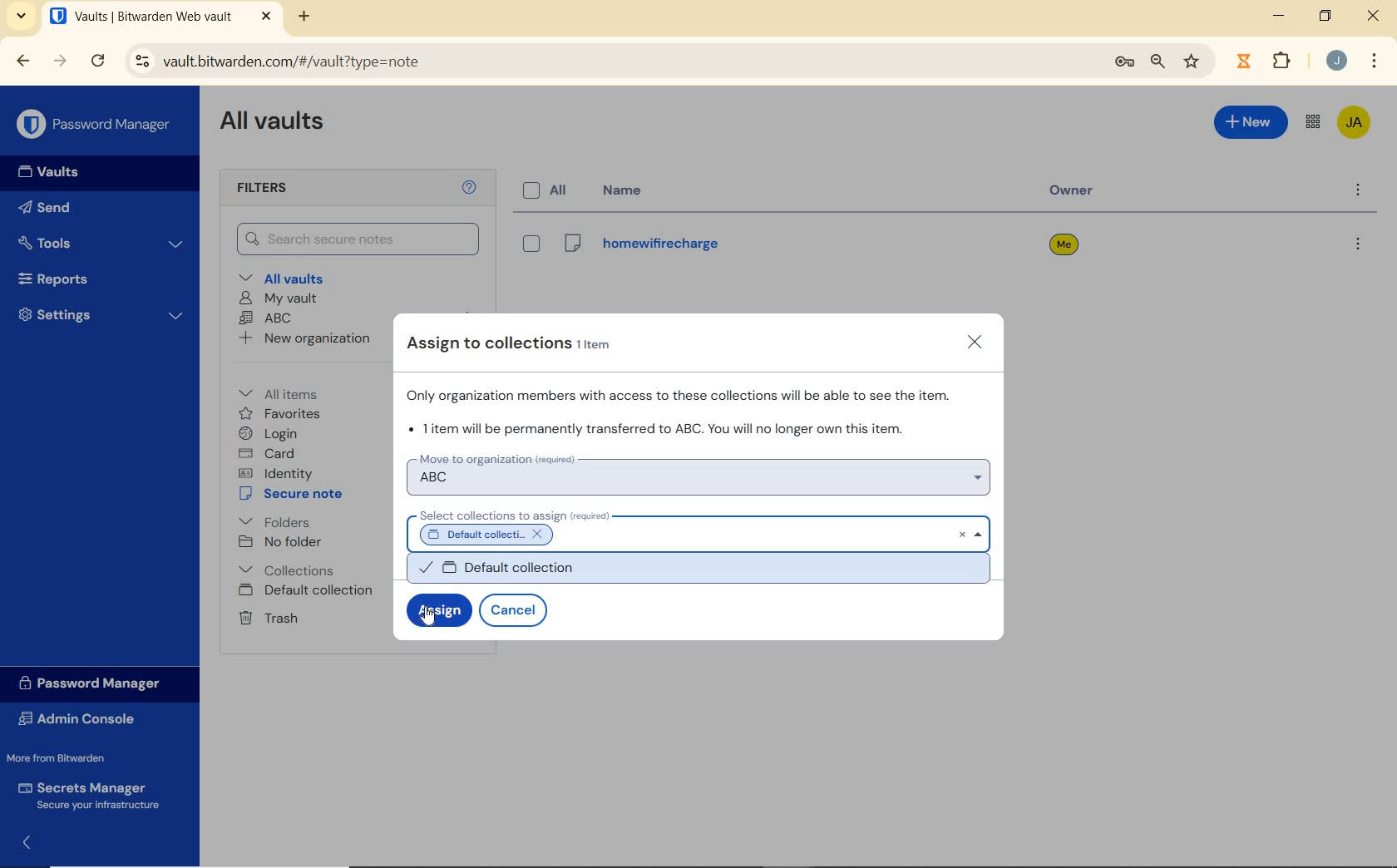 Image resolution: width=1397 pixels, height=868 pixels. What do you see at coordinates (97, 684) in the screenshot?
I see `Password Manager` at bounding box center [97, 684].